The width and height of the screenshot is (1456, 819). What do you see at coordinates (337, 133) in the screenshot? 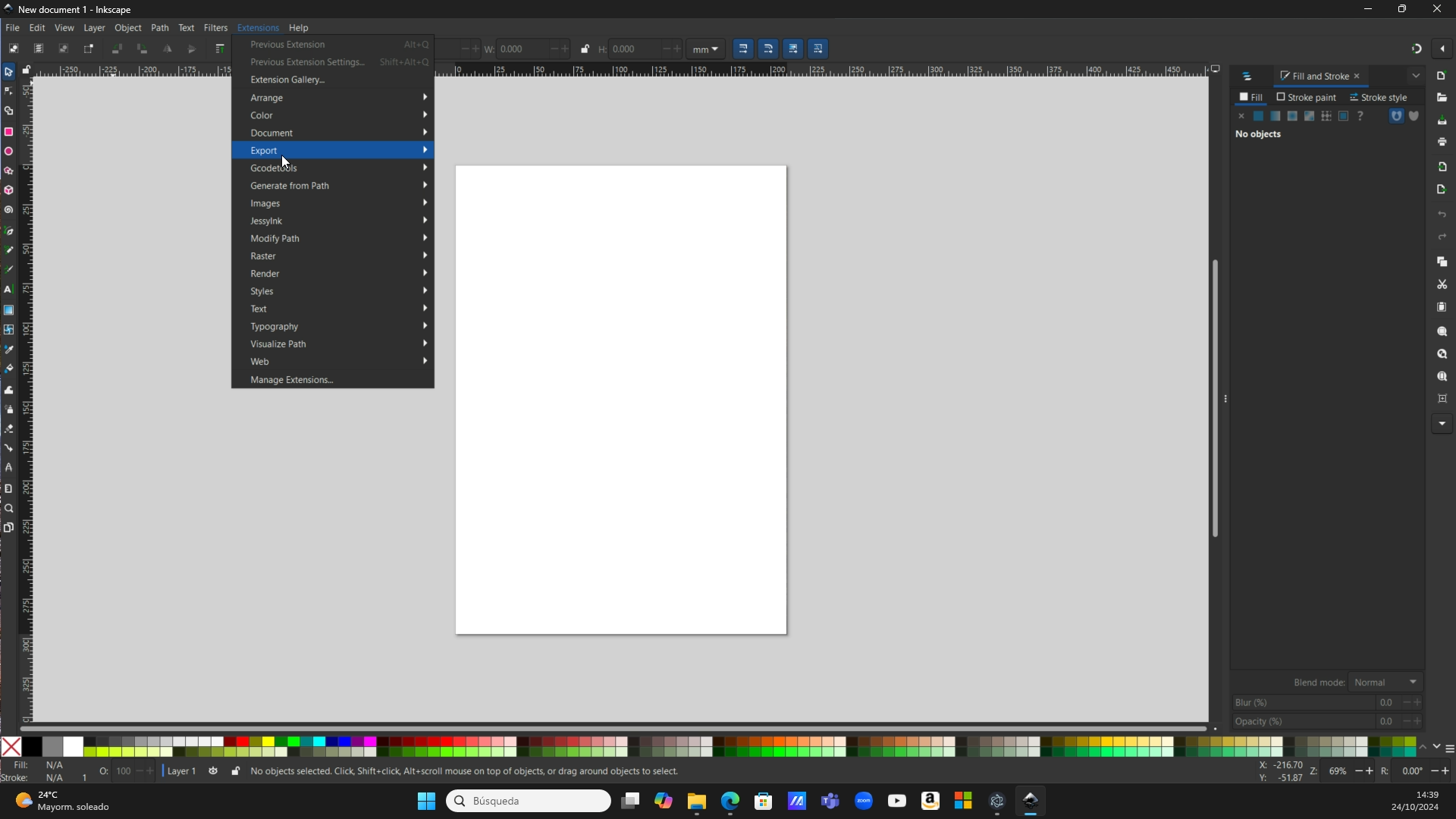
I see `Document` at bounding box center [337, 133].